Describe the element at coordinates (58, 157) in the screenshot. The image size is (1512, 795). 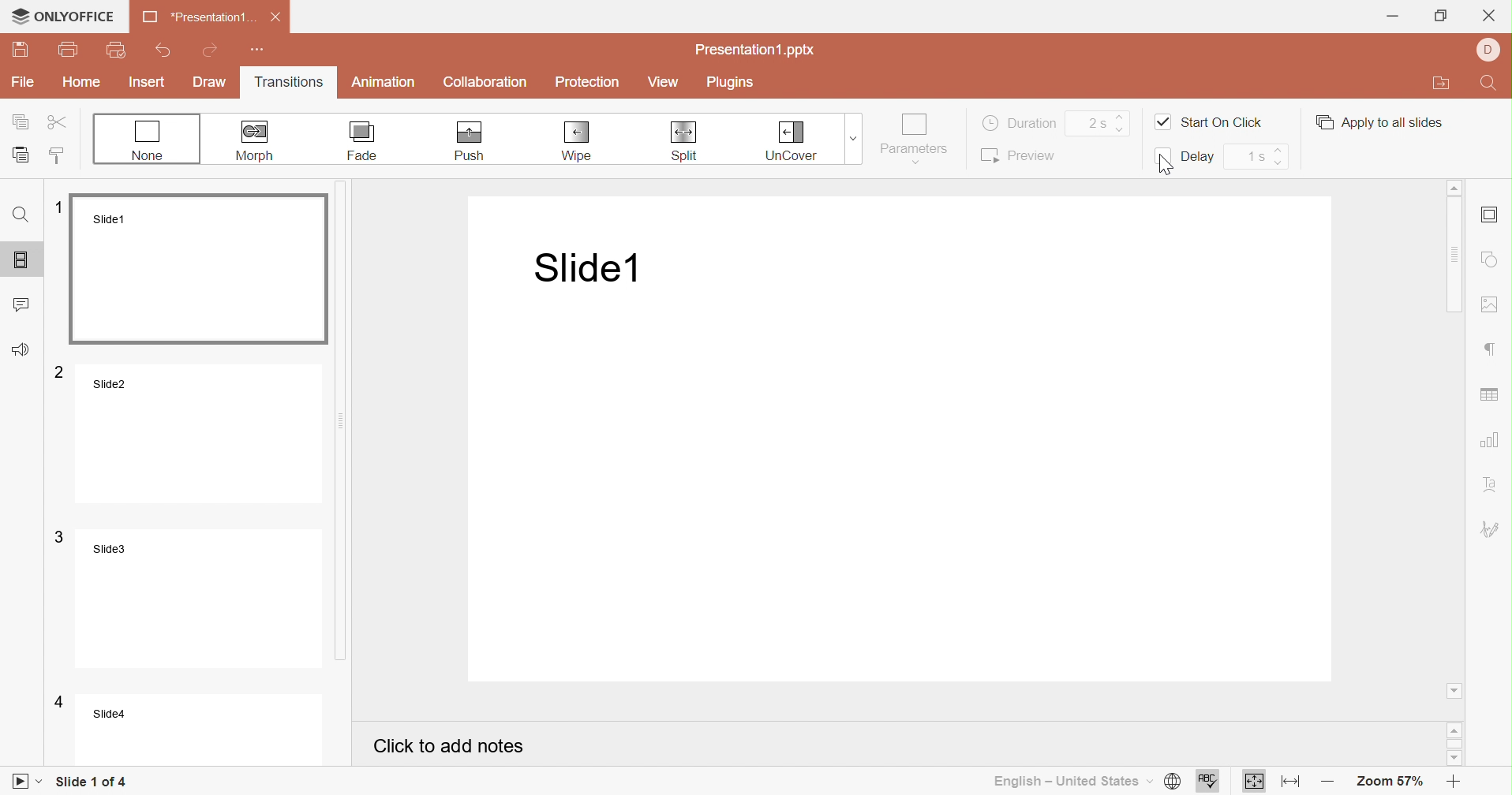
I see `Copy style` at that location.